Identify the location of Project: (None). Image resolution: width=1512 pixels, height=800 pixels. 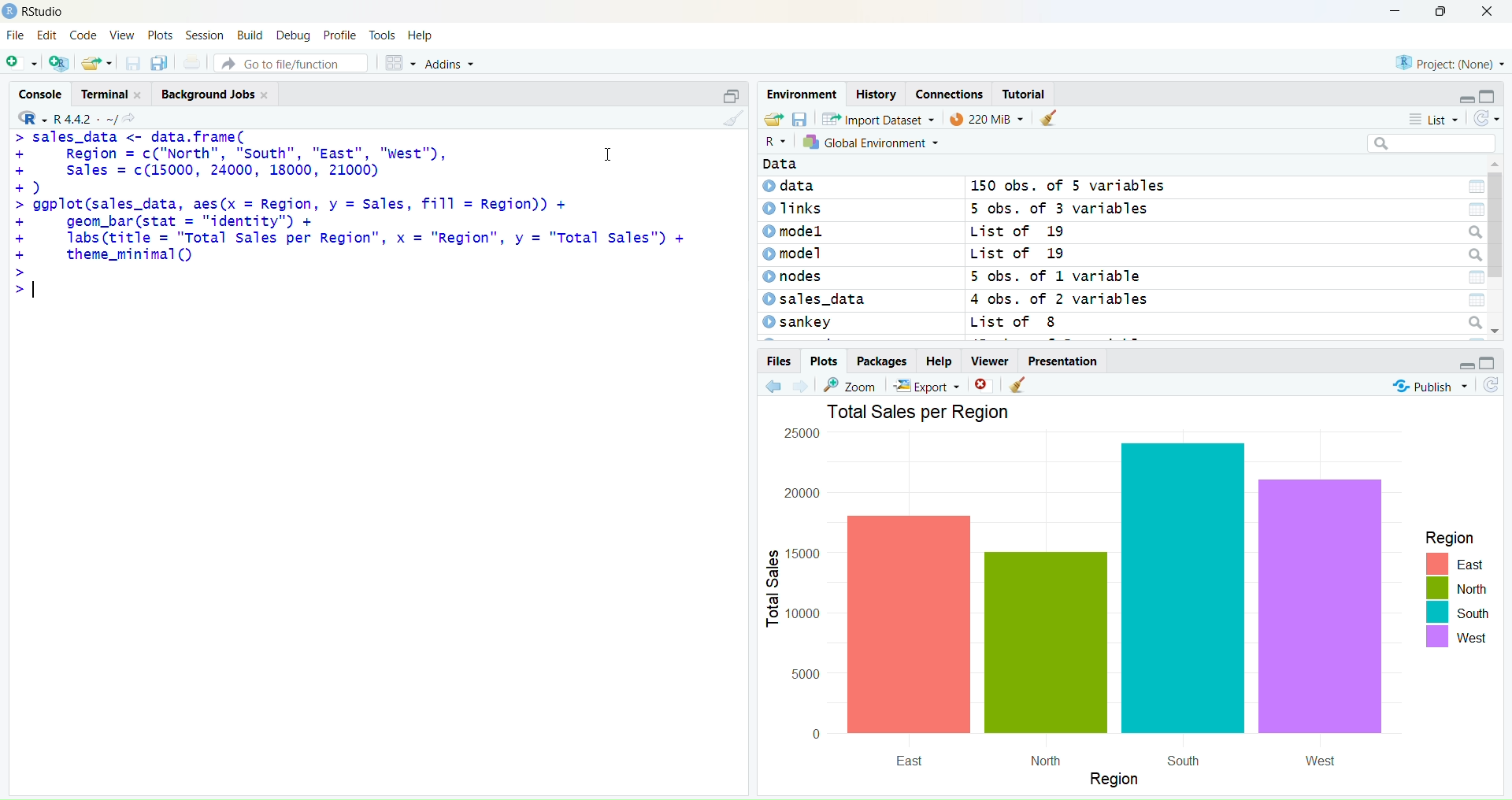
(1450, 61).